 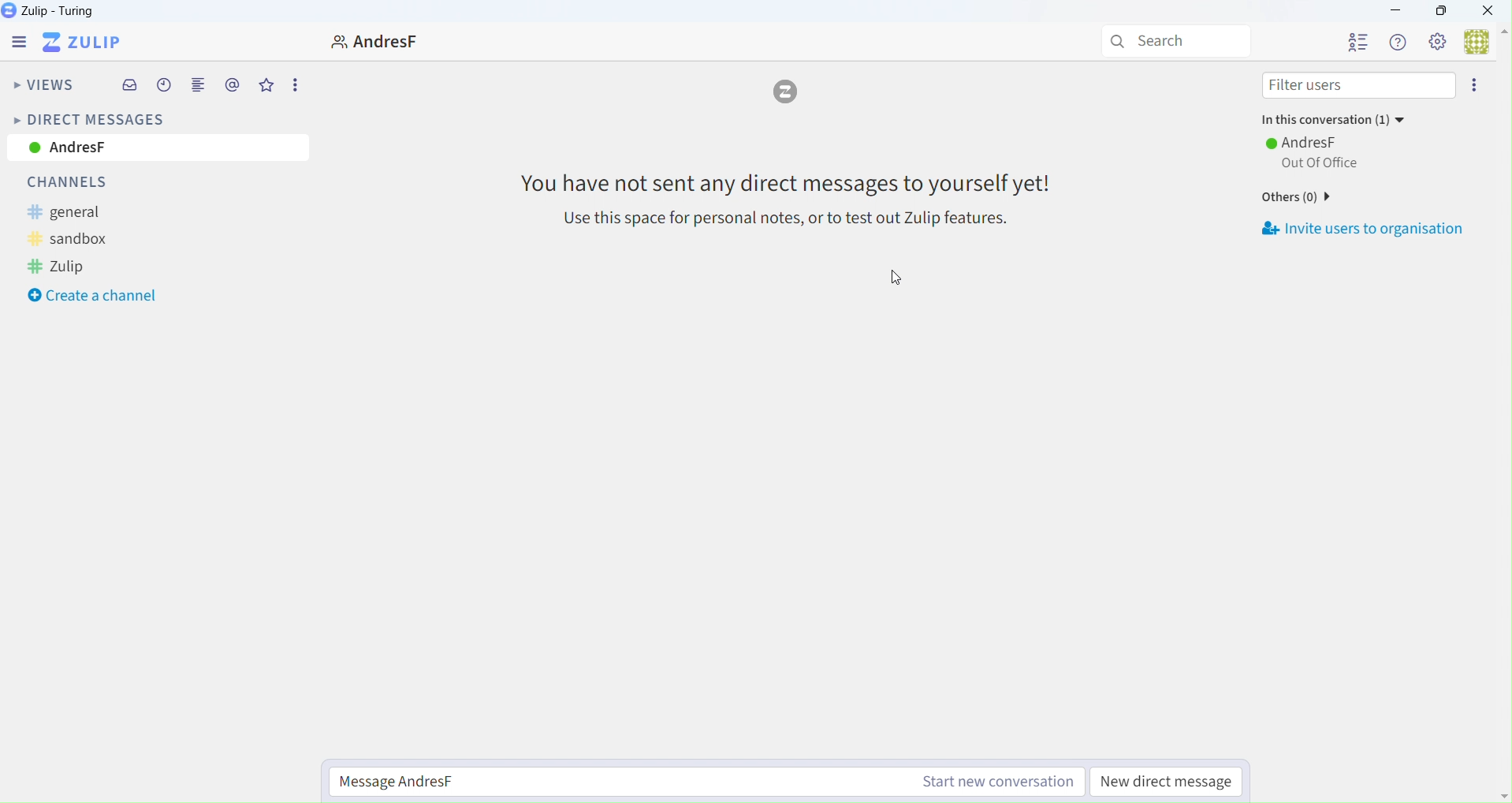 What do you see at coordinates (788, 95) in the screenshot?
I see `Logo` at bounding box center [788, 95].